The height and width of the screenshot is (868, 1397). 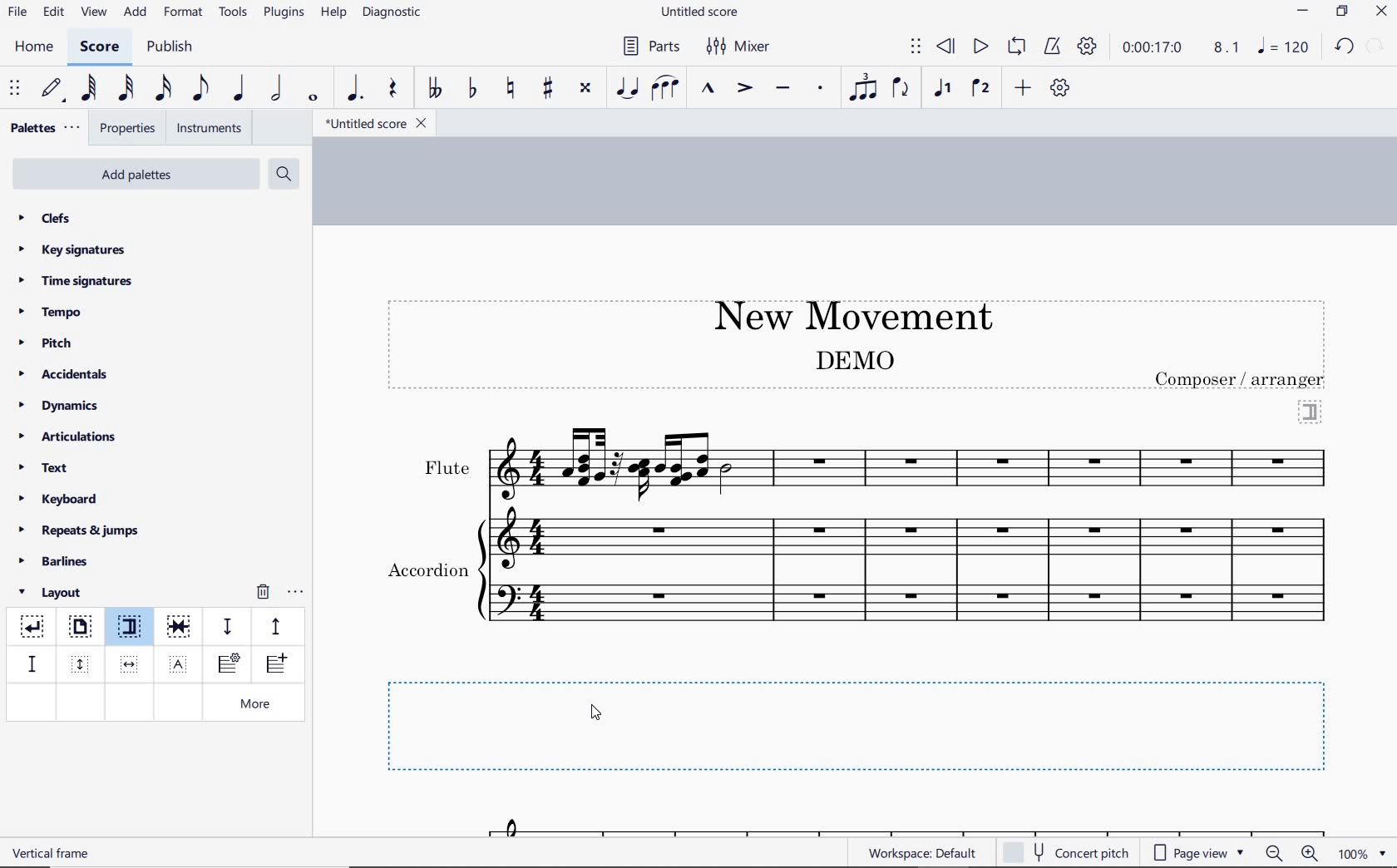 What do you see at coordinates (867, 725) in the screenshot?
I see `frame for new movement added` at bounding box center [867, 725].